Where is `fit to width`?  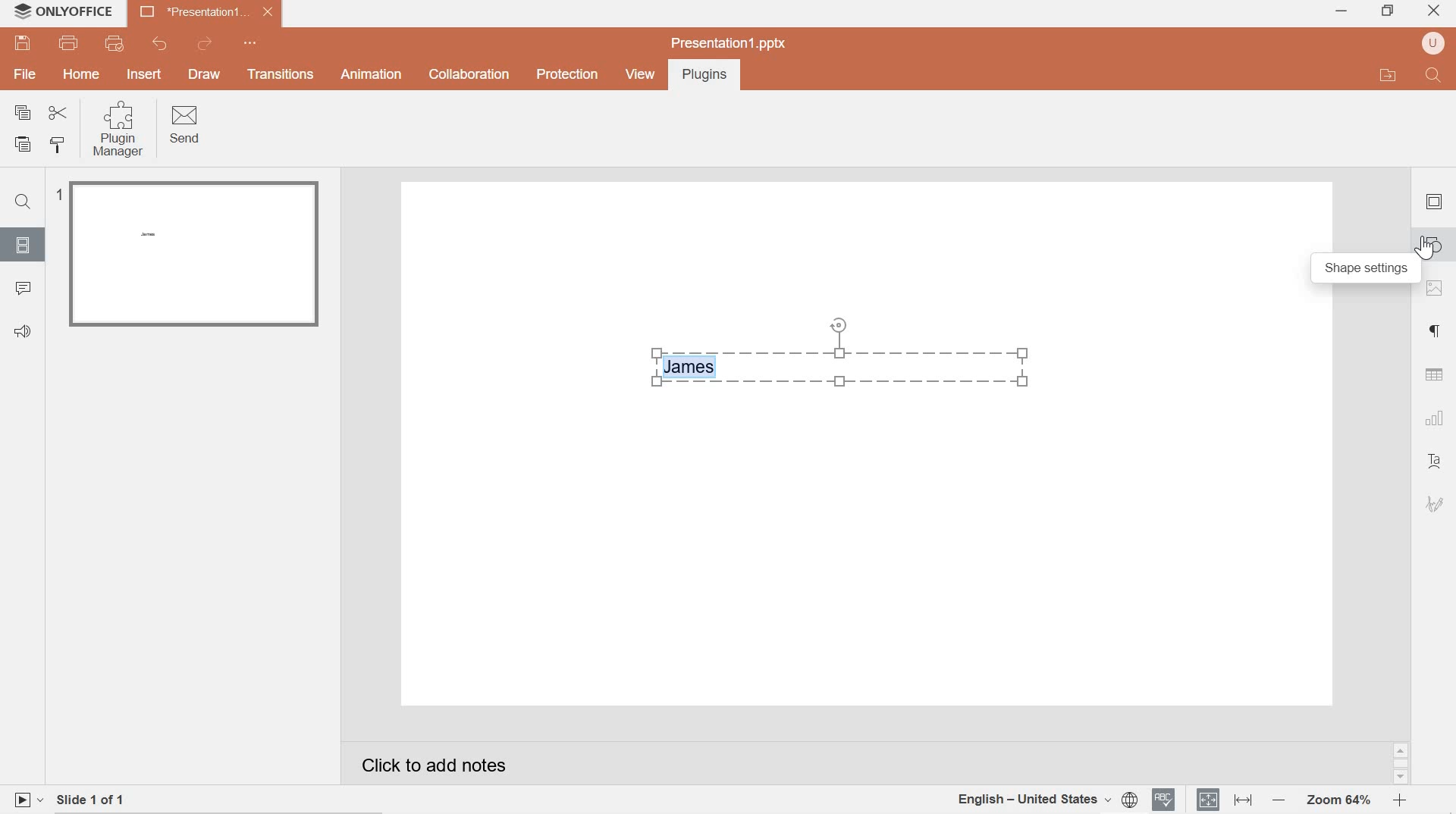
fit to width is located at coordinates (1241, 800).